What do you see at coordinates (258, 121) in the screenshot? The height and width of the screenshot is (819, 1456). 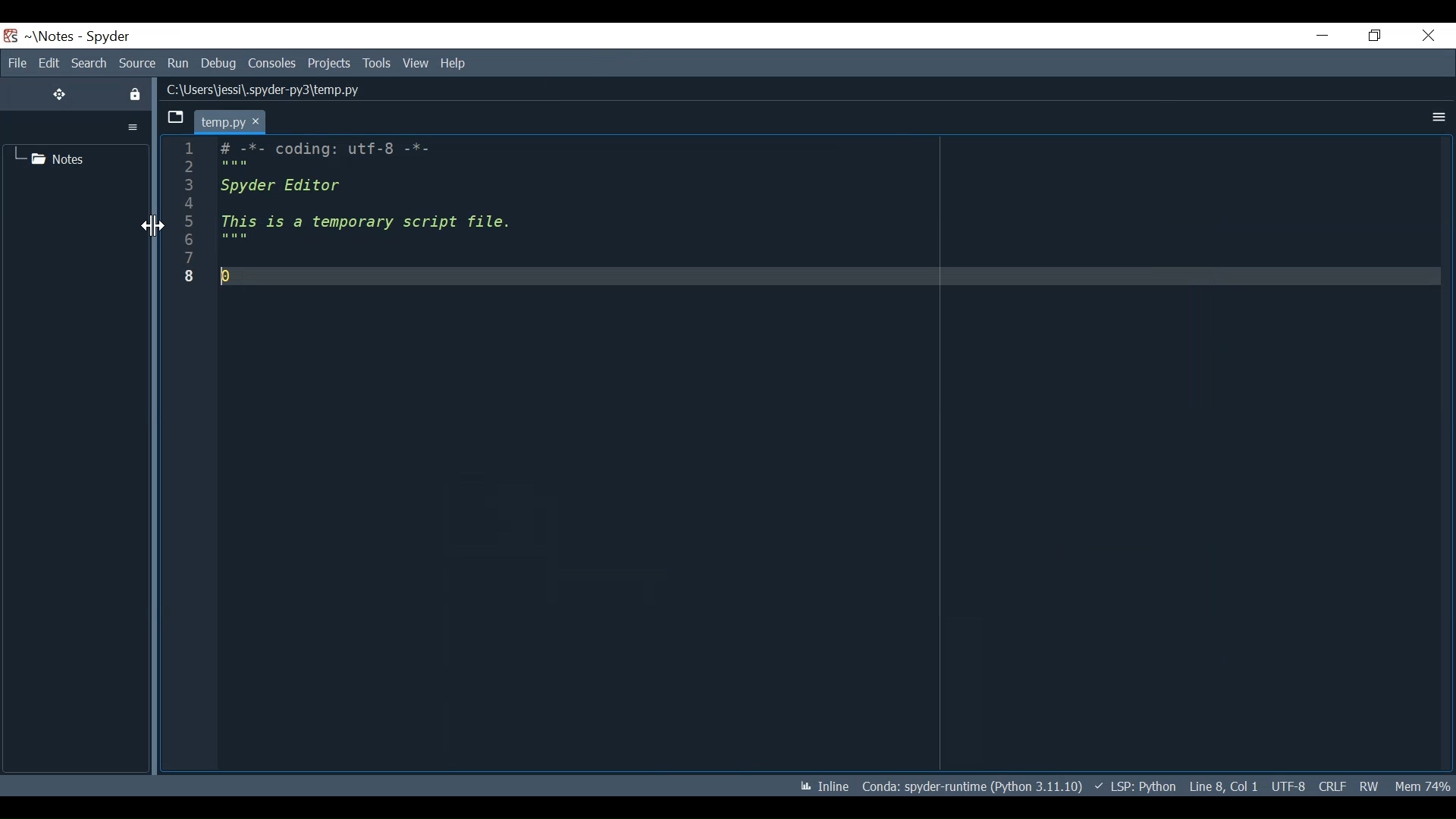 I see `cursor` at bounding box center [258, 121].